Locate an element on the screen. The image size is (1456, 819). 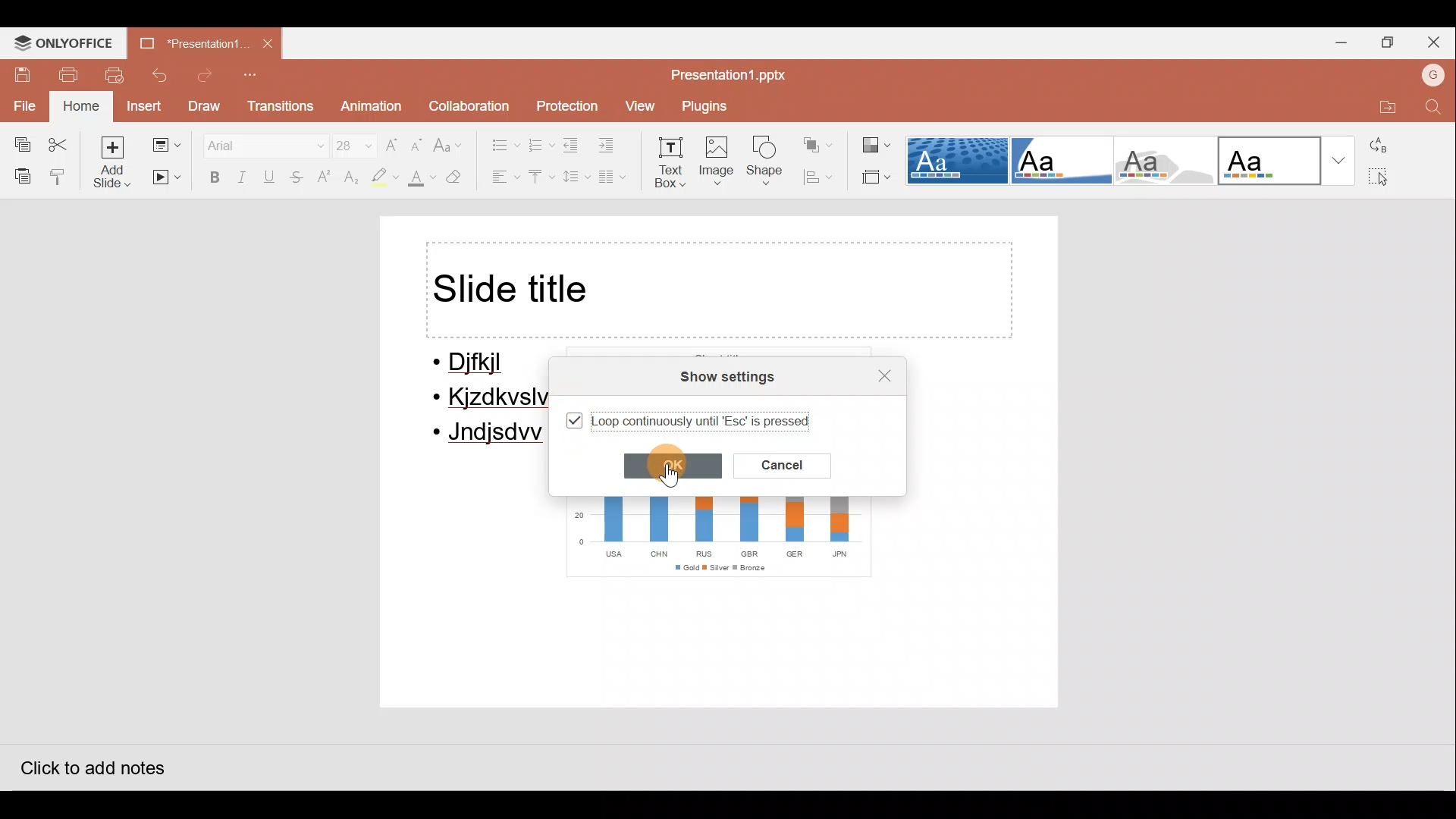
Title is located at coordinates (719, 290).